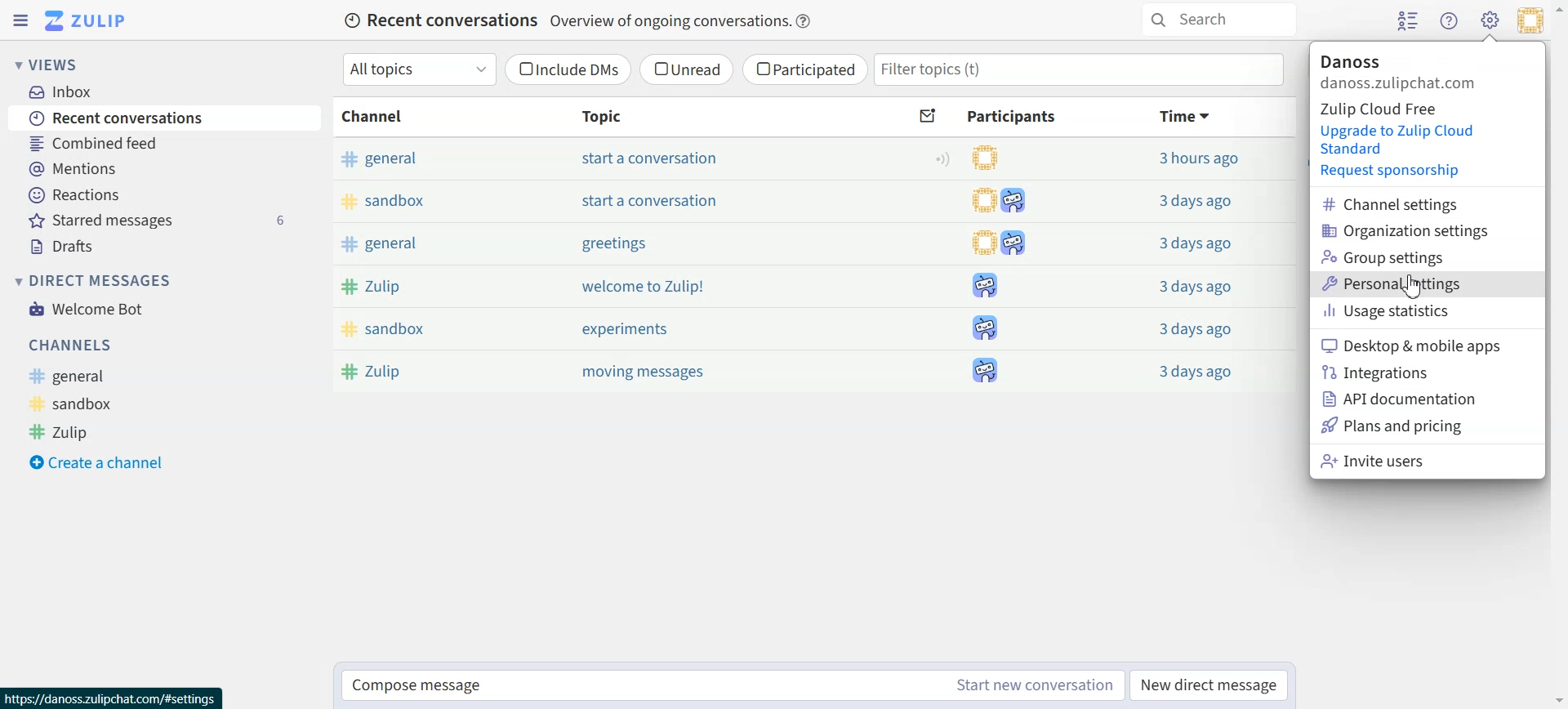 The image size is (1568, 709). What do you see at coordinates (1487, 22) in the screenshot?
I see `Settings` at bounding box center [1487, 22].